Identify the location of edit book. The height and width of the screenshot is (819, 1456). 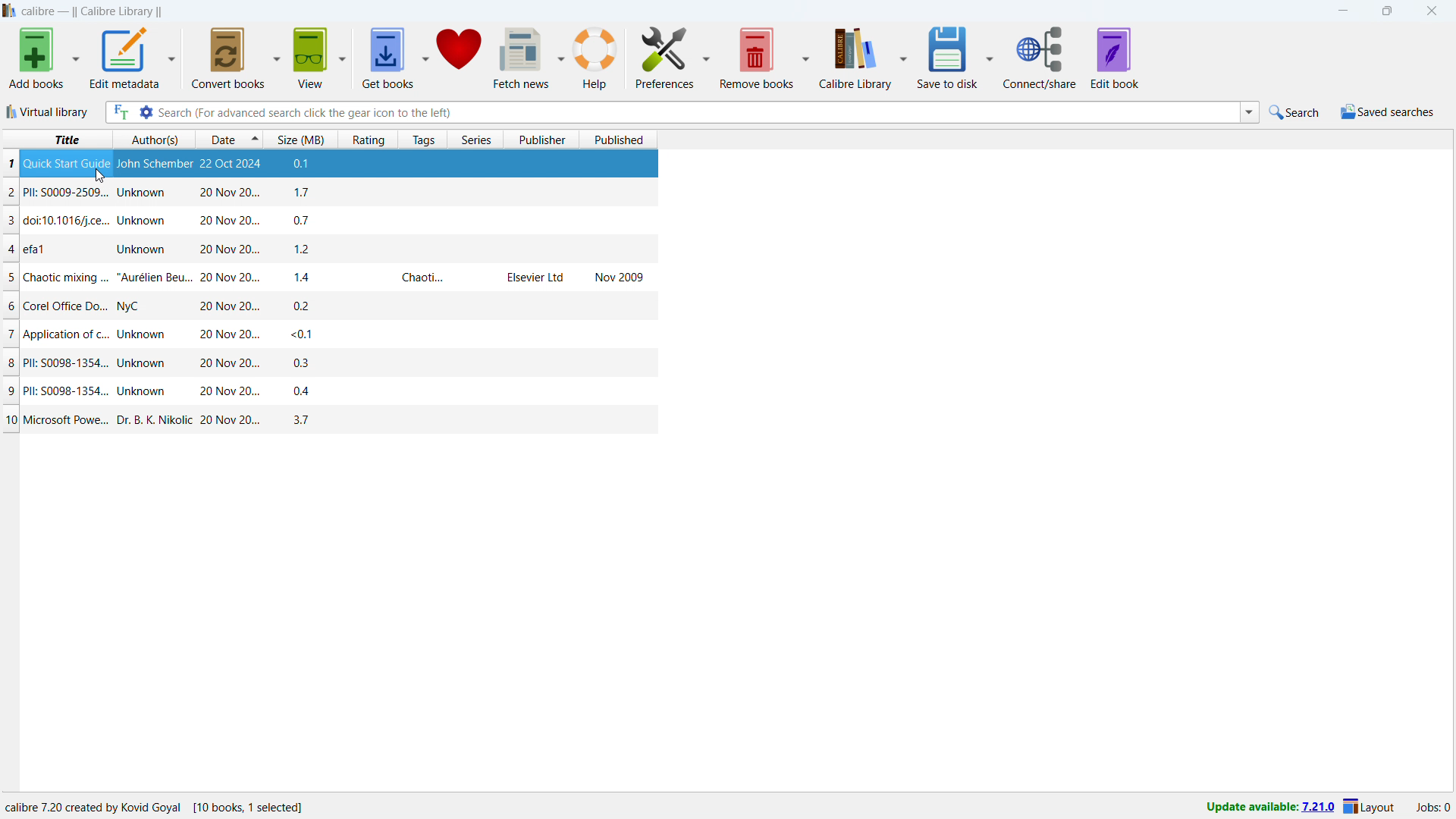
(1115, 57).